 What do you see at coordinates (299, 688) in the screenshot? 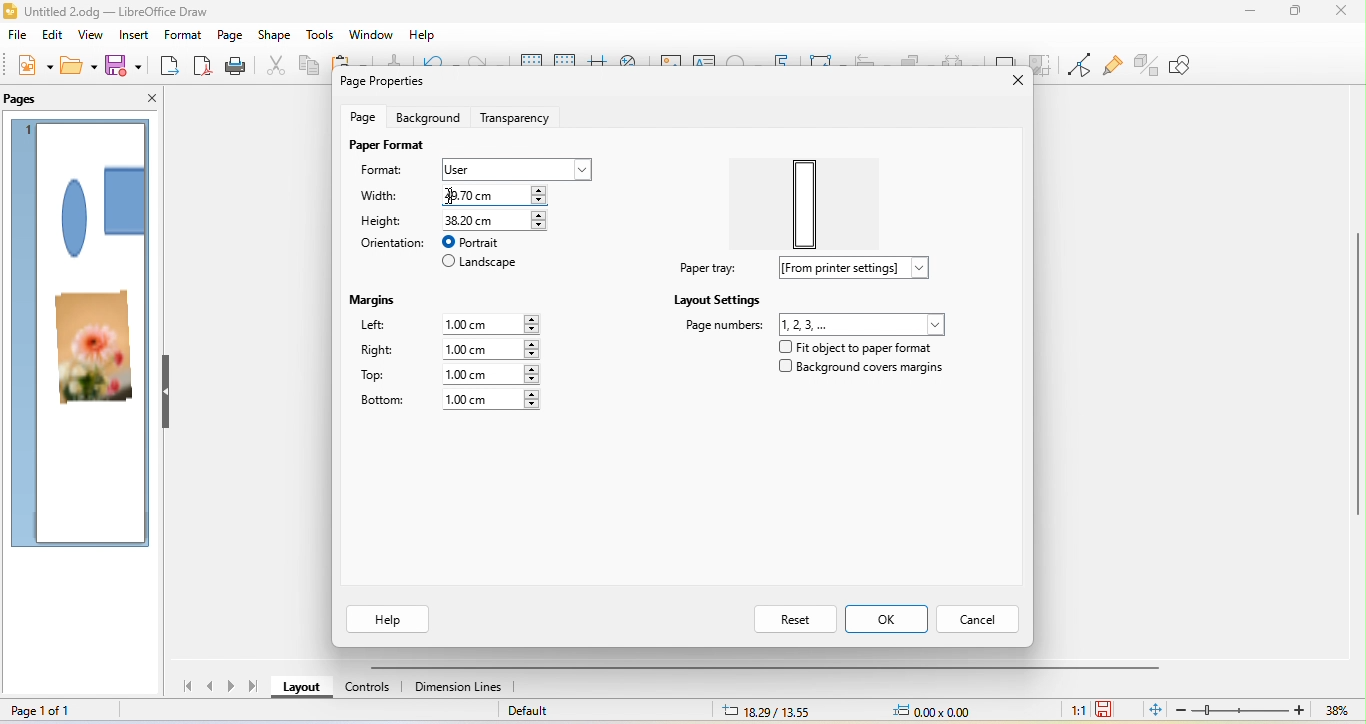
I see `layout` at bounding box center [299, 688].